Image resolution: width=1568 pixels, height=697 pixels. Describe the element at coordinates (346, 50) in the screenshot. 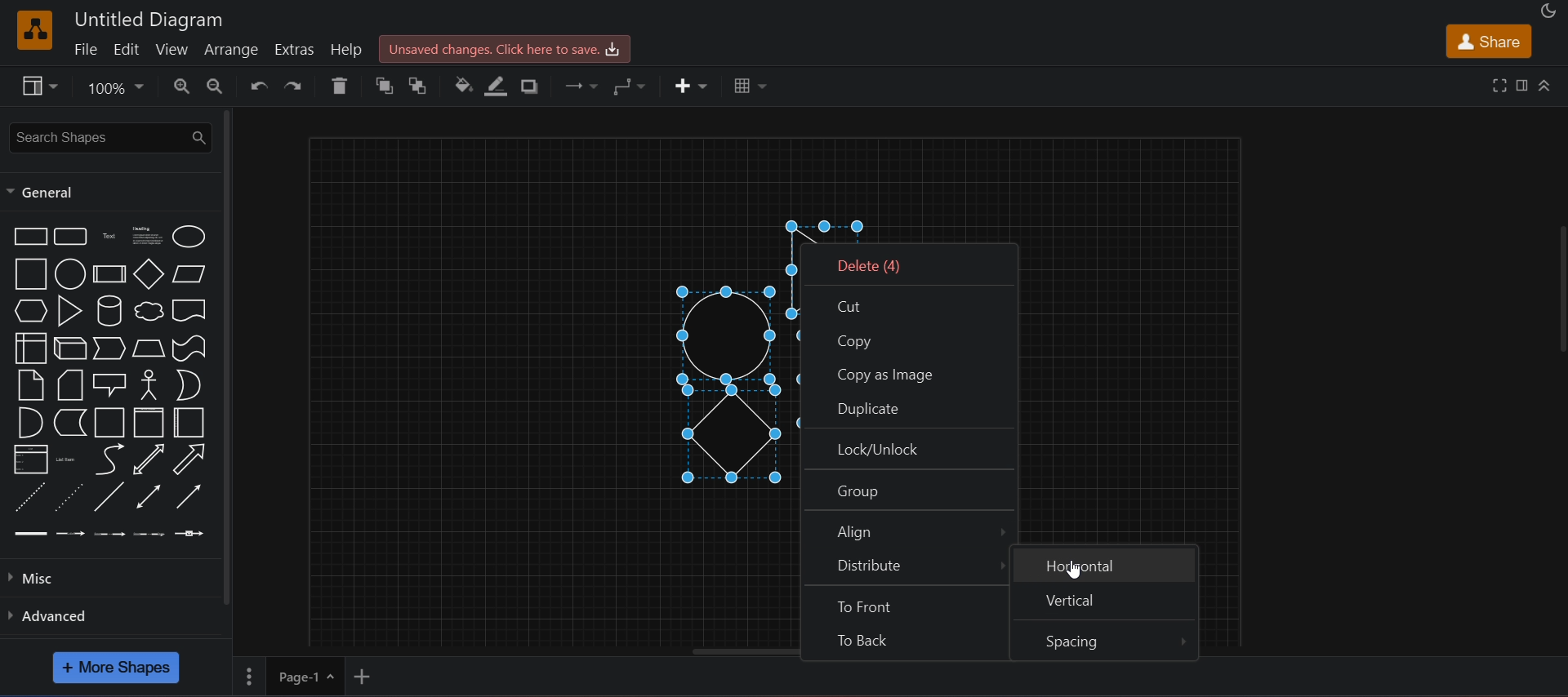

I see `help` at that location.